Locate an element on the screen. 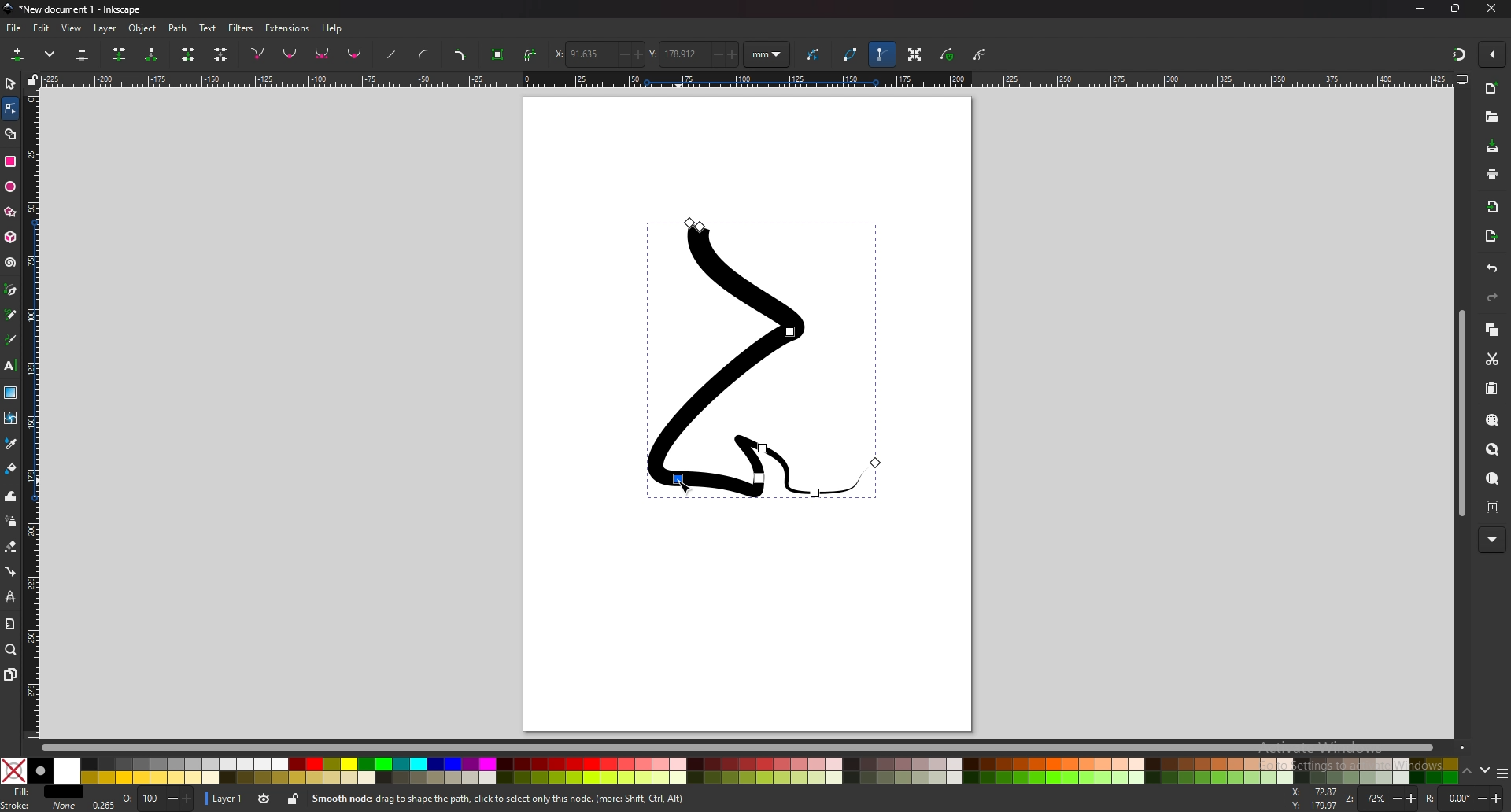  break path at selected nodes is located at coordinates (152, 54).